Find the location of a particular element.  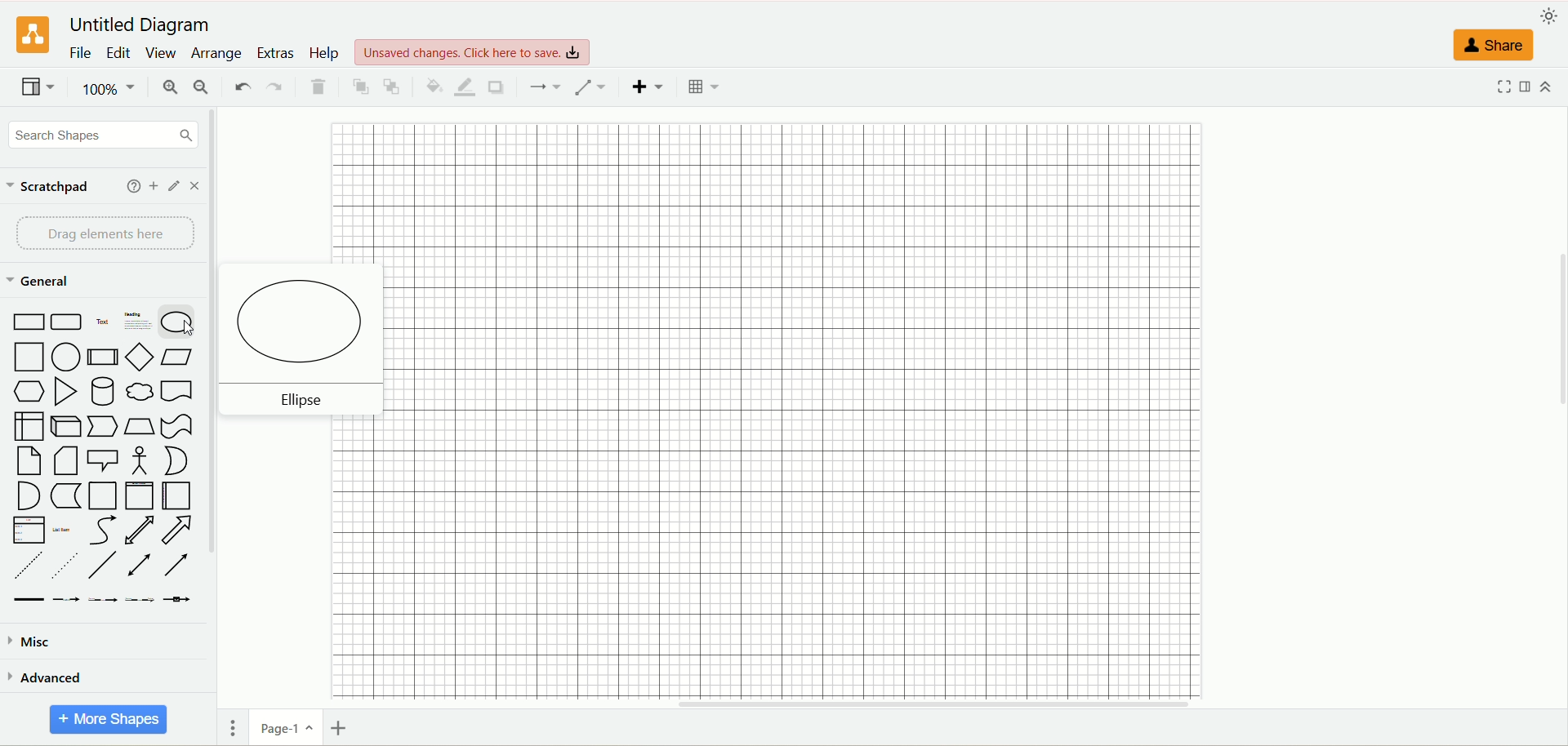

extras is located at coordinates (275, 52).